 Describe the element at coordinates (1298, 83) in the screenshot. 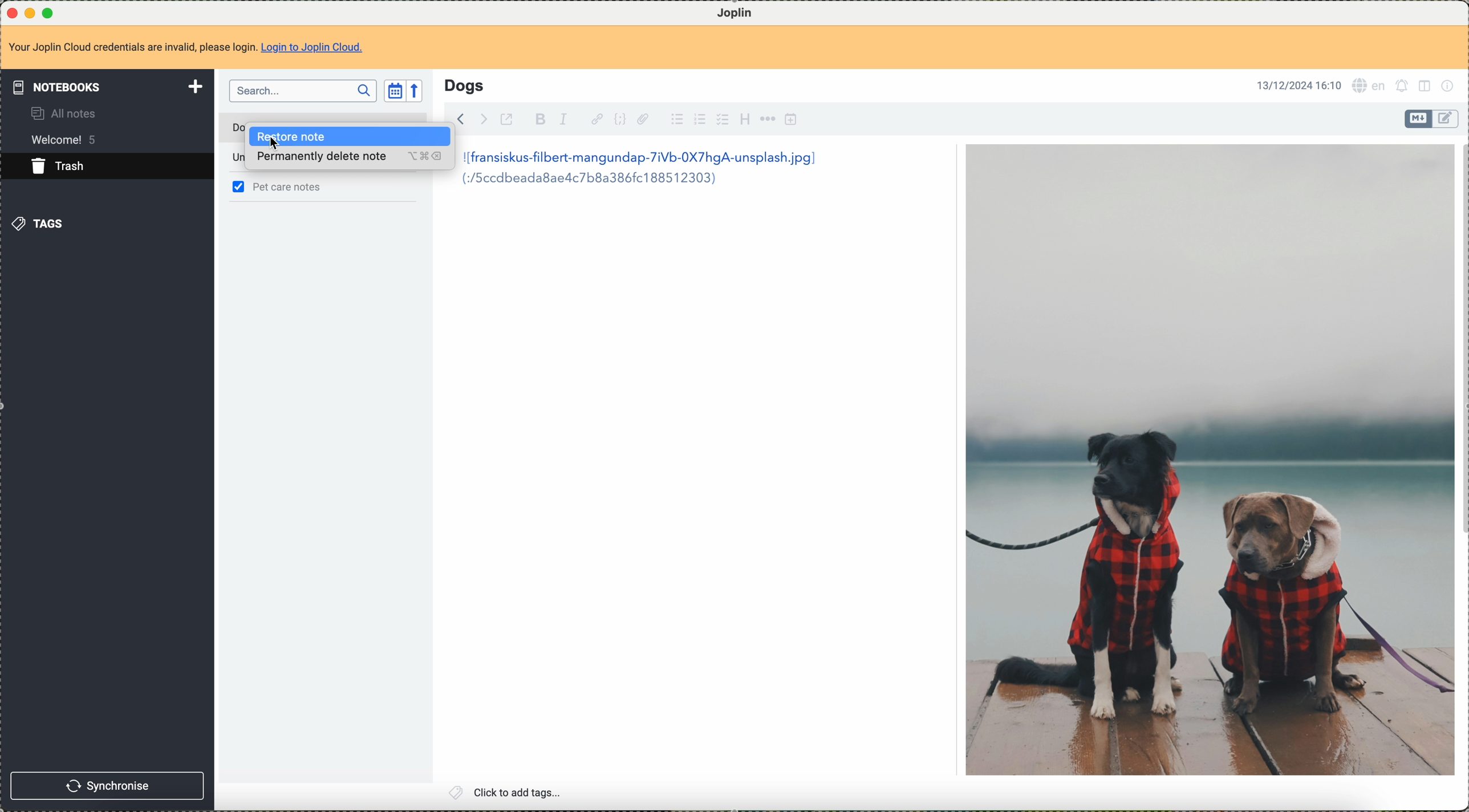

I see `13/12/2024 16:10` at that location.